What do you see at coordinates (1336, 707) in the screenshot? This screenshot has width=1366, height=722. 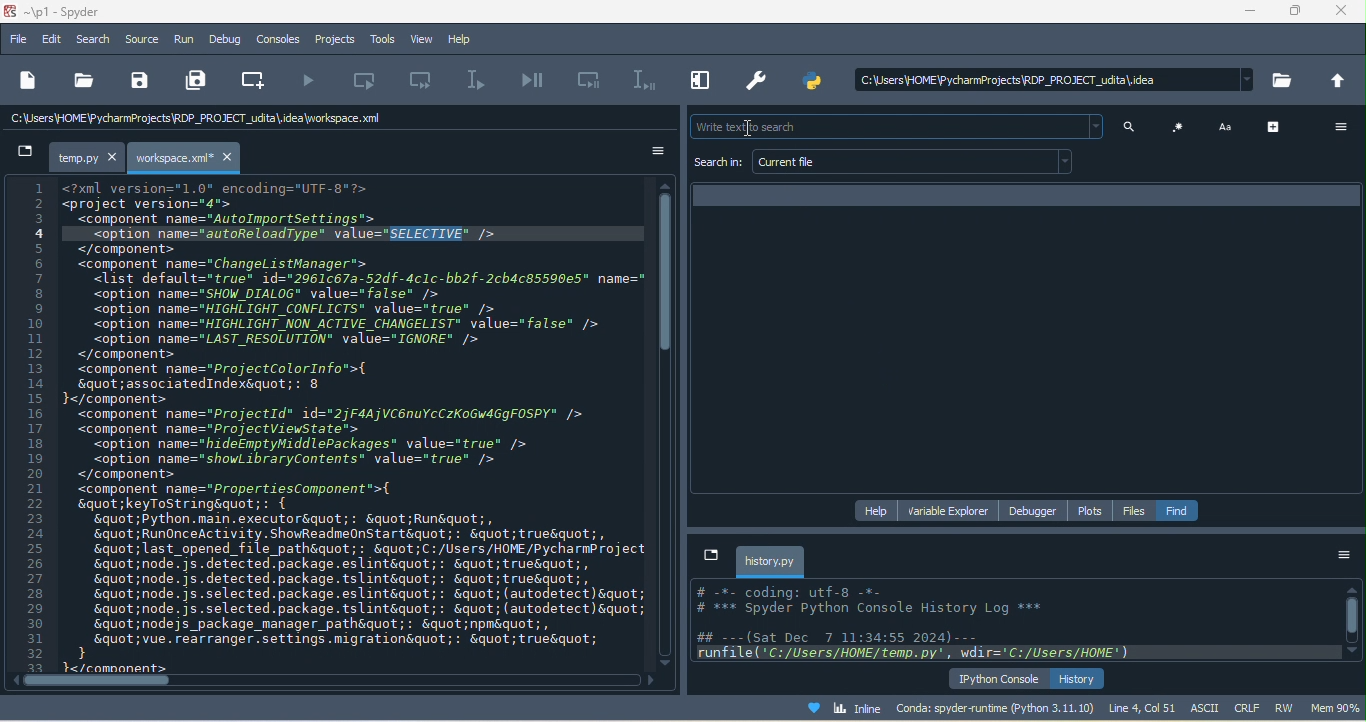 I see `mem 90%` at bounding box center [1336, 707].